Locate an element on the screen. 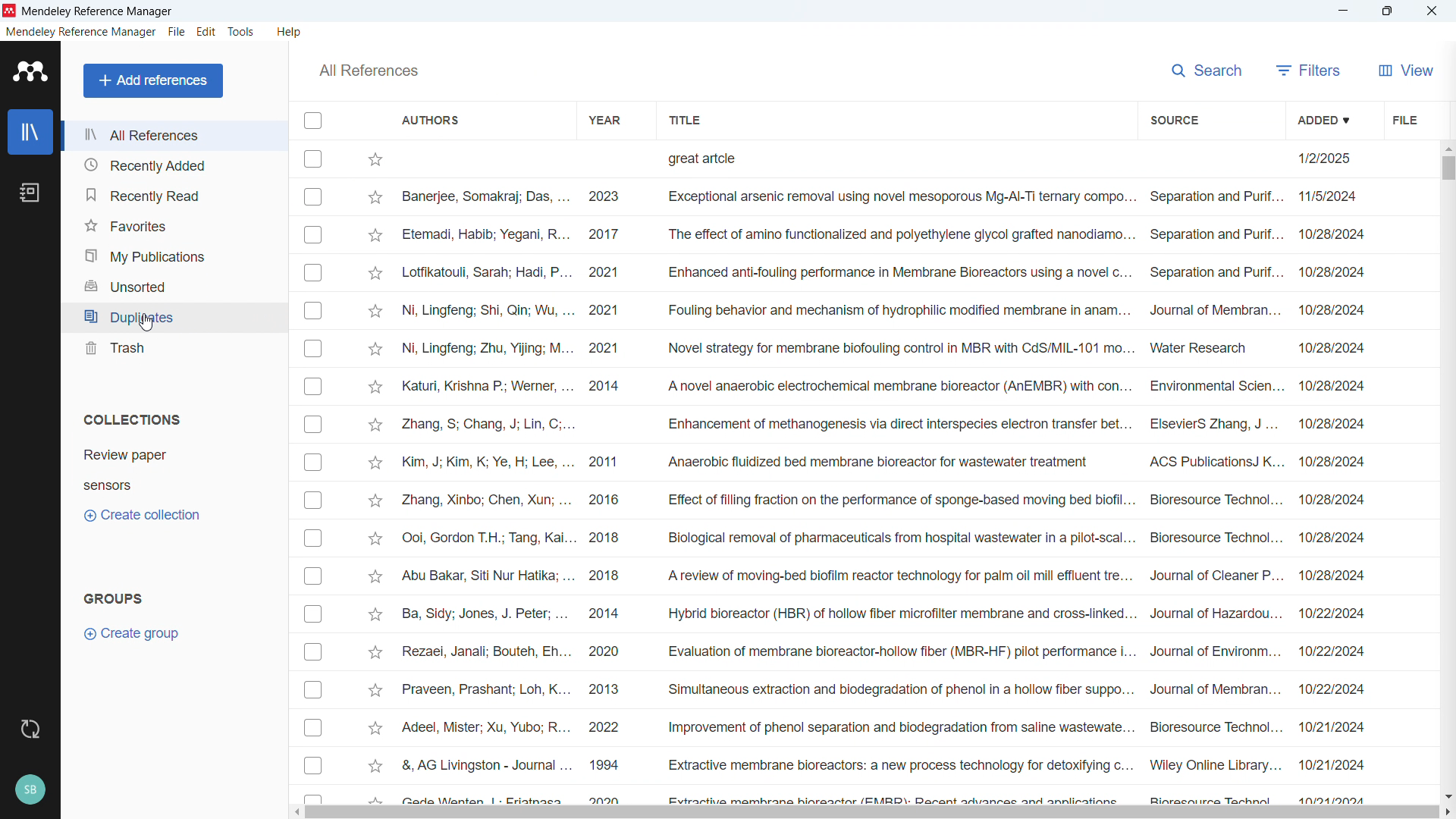 The image size is (1456, 819). Sync  is located at coordinates (30, 727).